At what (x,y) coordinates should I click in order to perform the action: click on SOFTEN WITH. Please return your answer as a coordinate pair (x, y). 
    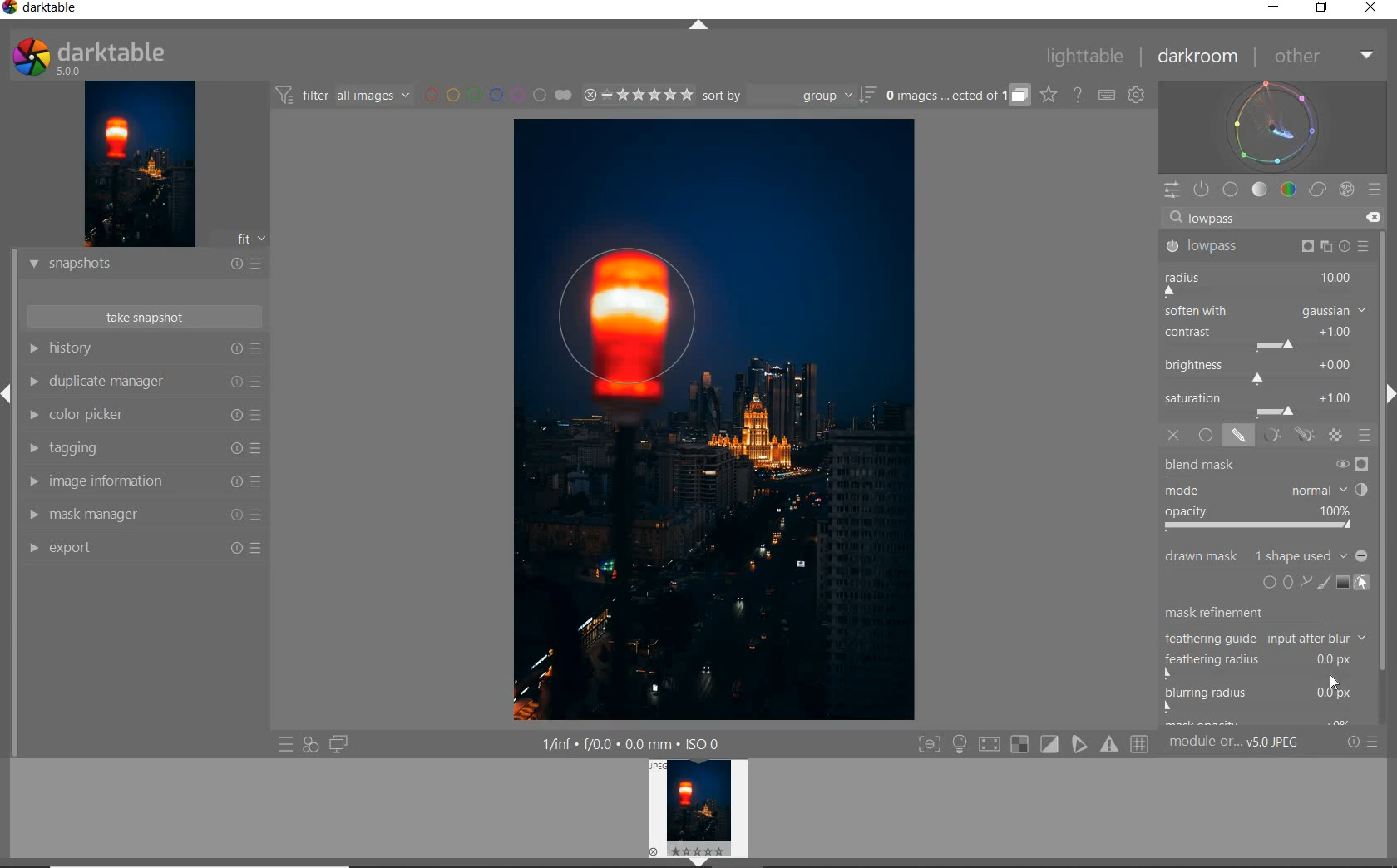
    Looking at the image, I should click on (1266, 312).